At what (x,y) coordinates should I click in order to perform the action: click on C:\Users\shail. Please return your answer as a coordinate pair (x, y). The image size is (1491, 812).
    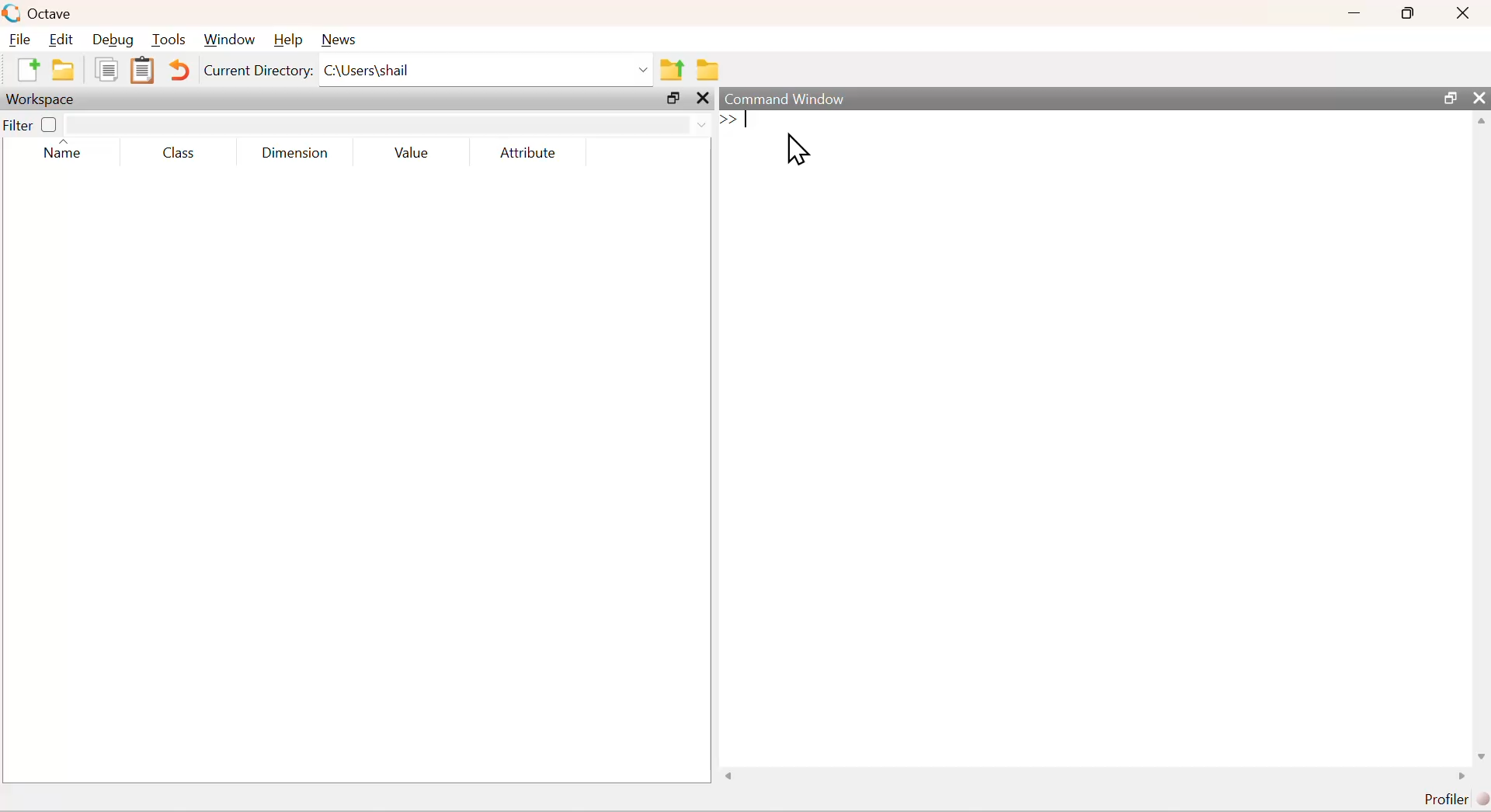
    Looking at the image, I should click on (486, 71).